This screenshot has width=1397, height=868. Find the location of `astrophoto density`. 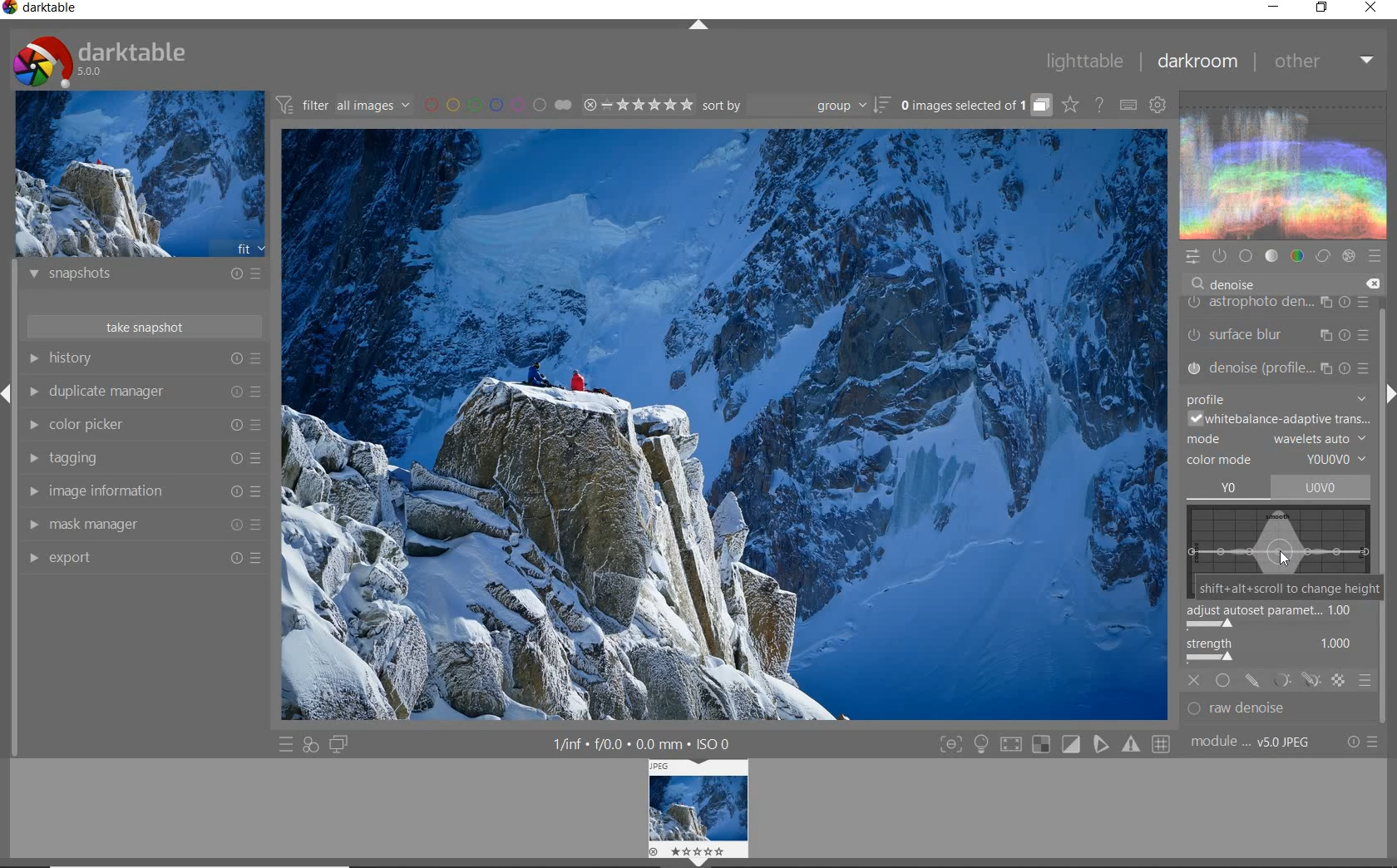

astrophoto density is located at coordinates (1278, 305).